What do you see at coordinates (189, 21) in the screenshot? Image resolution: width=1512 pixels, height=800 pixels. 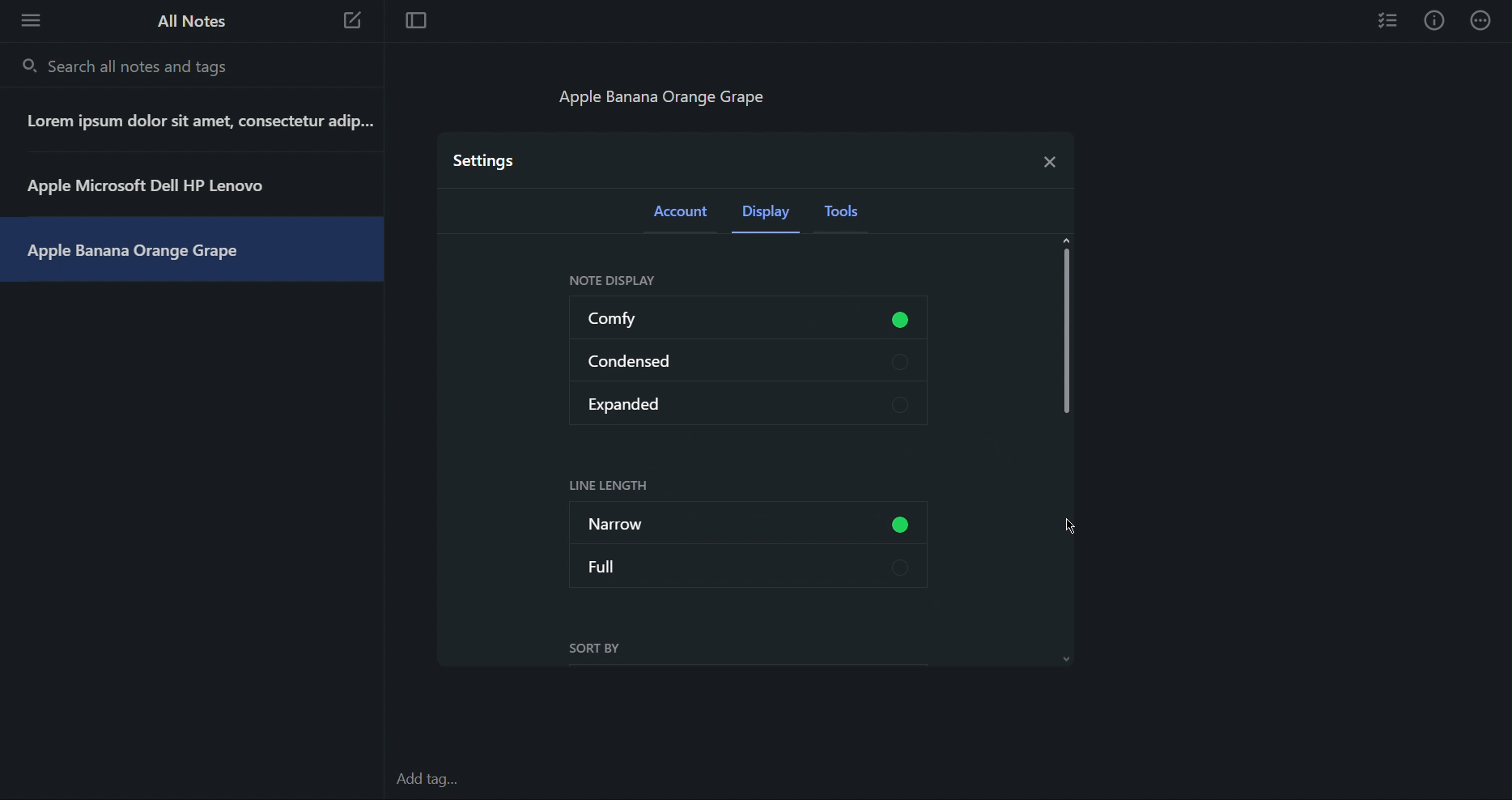 I see `All Notes` at bounding box center [189, 21].